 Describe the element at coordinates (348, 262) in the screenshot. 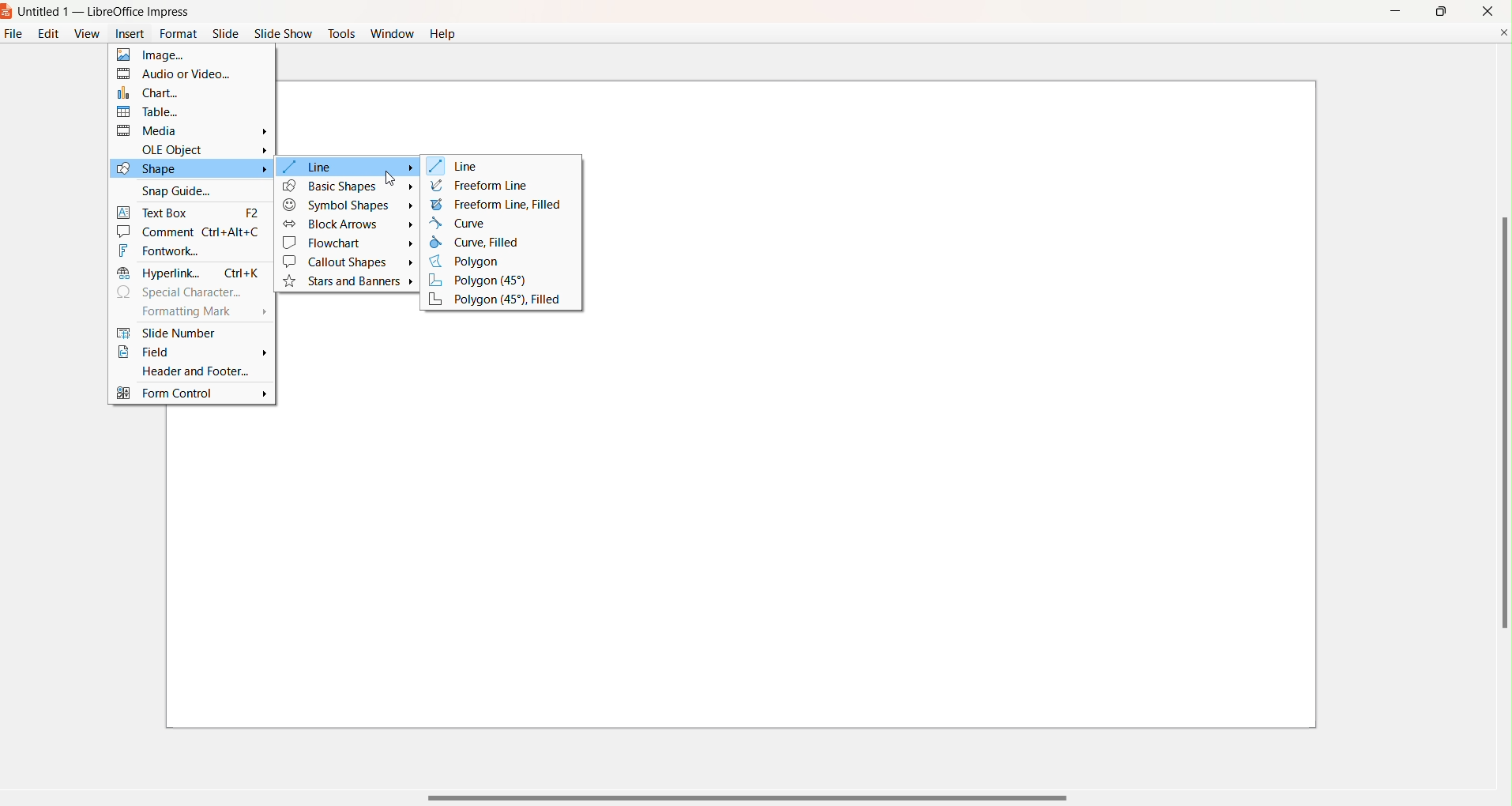

I see `Callout Shapes` at that location.